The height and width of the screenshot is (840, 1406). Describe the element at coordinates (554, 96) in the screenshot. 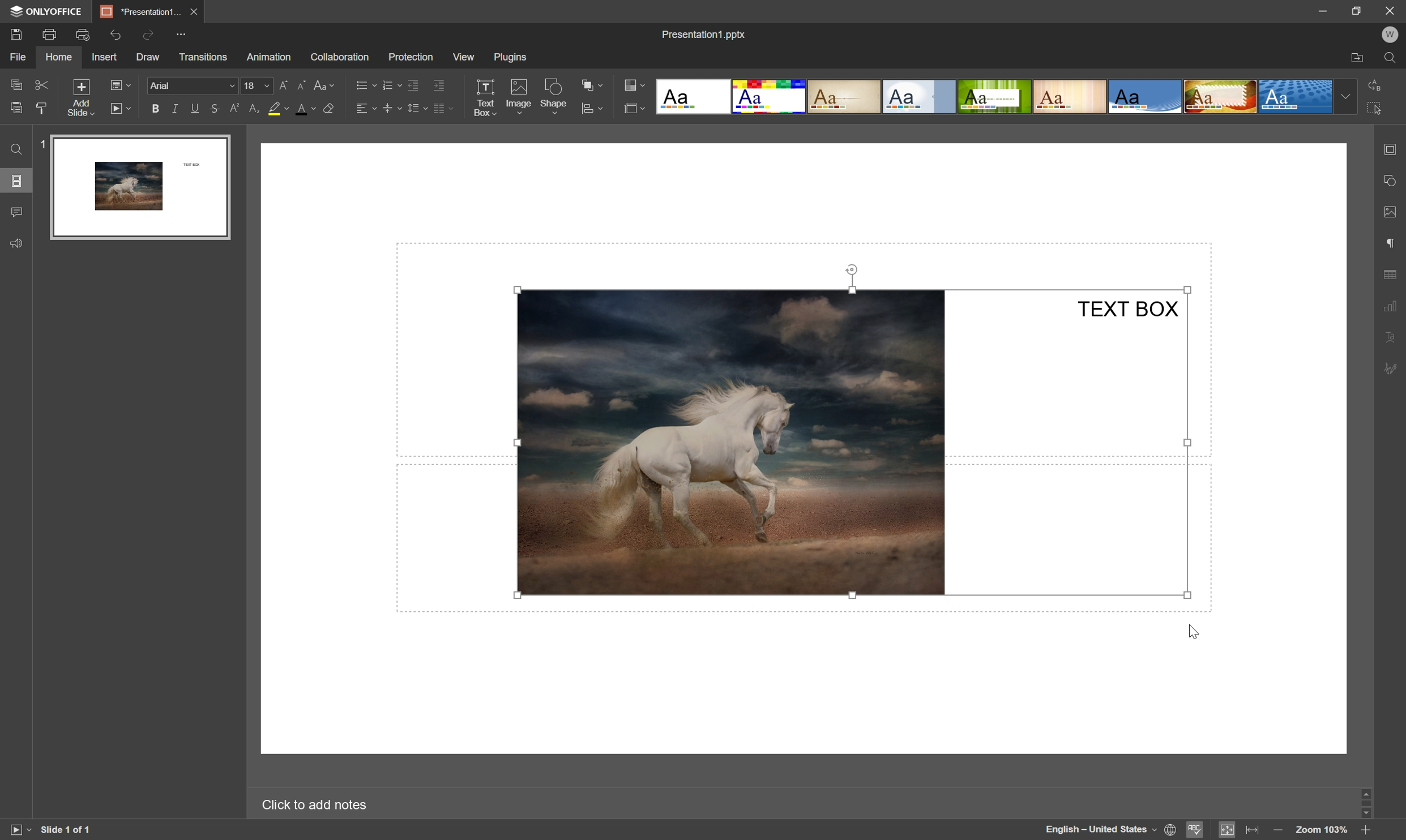

I see `shape` at that location.